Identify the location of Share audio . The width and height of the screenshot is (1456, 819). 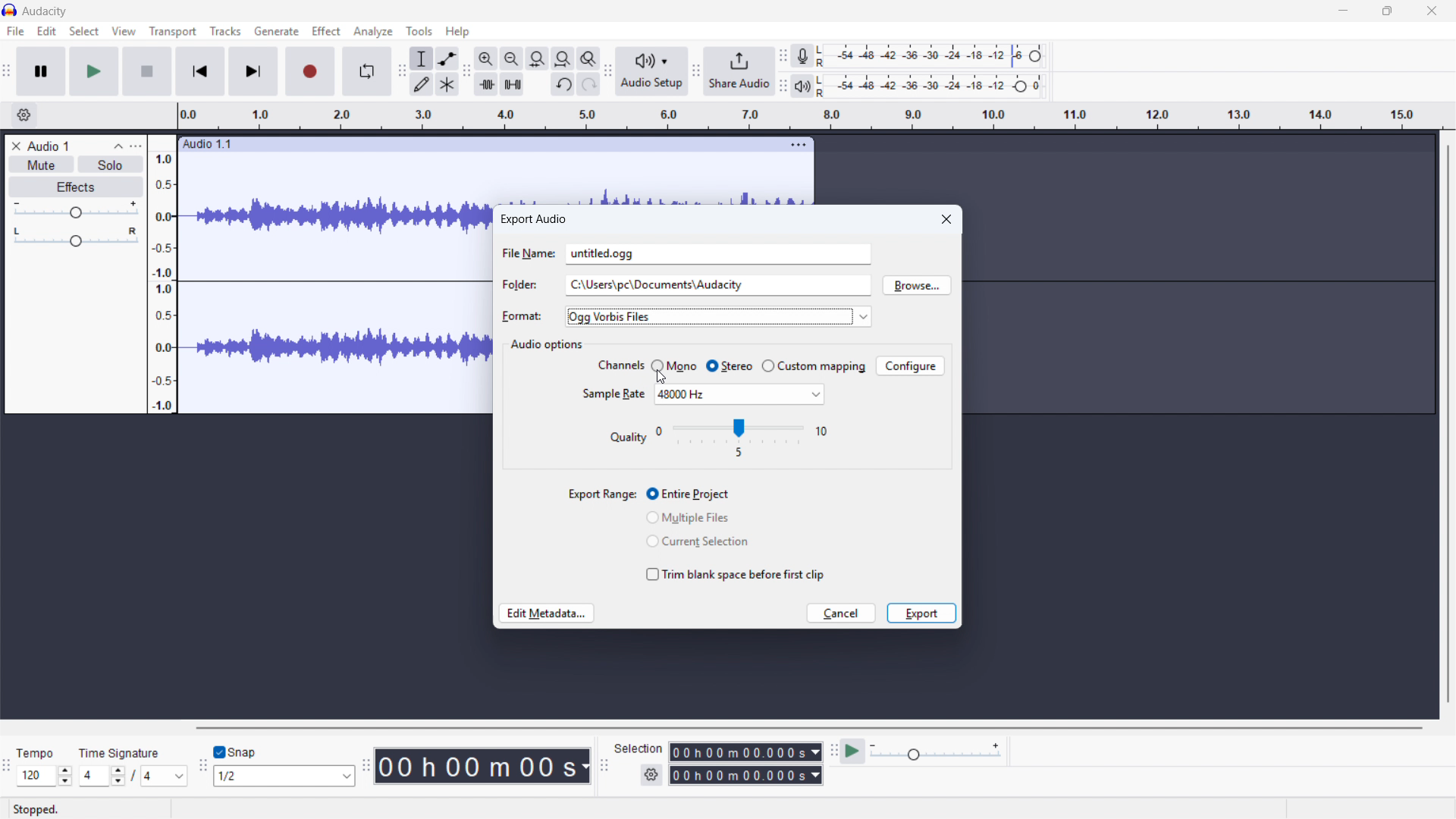
(740, 71).